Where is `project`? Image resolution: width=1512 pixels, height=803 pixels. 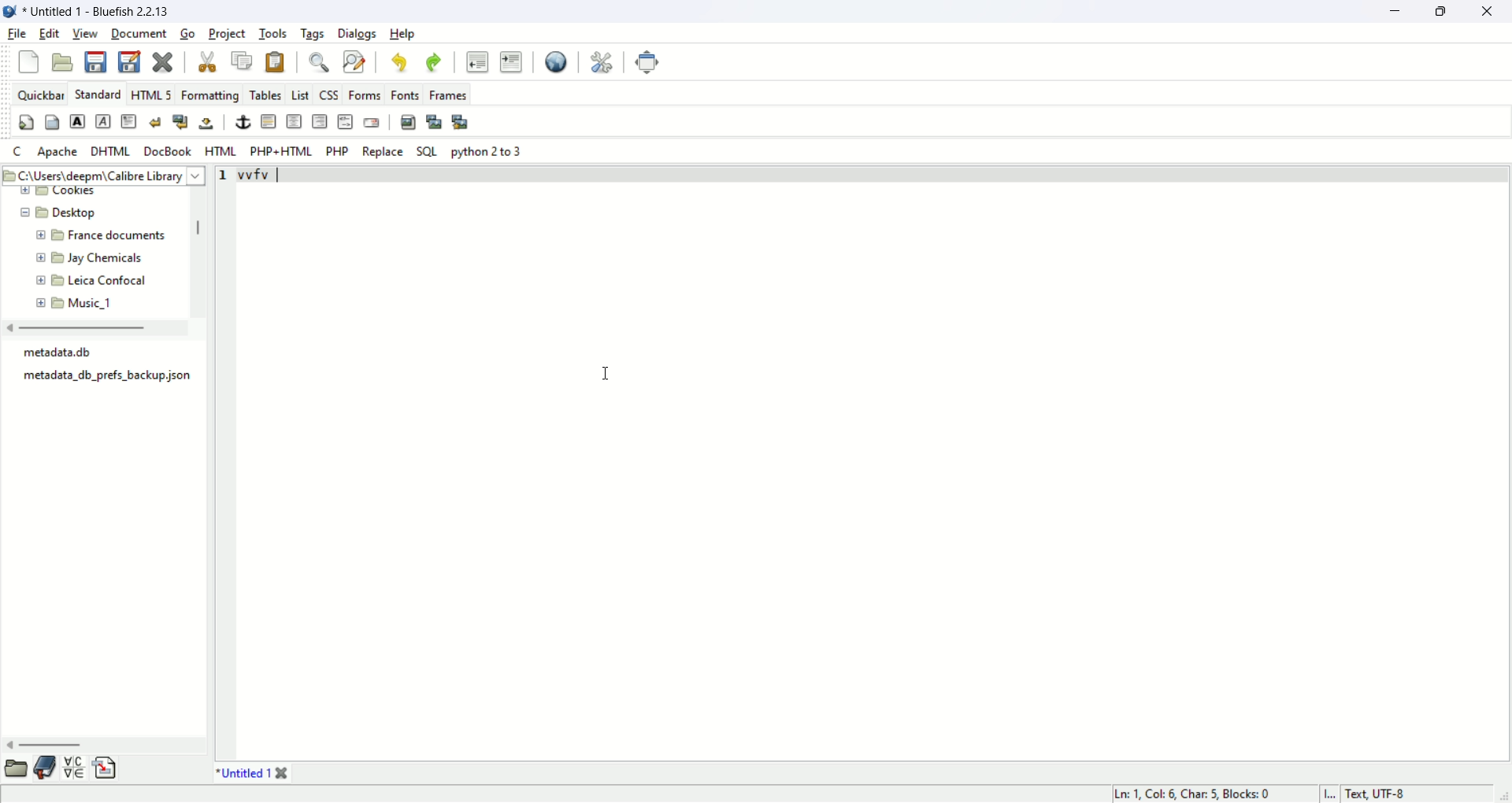 project is located at coordinates (228, 34).